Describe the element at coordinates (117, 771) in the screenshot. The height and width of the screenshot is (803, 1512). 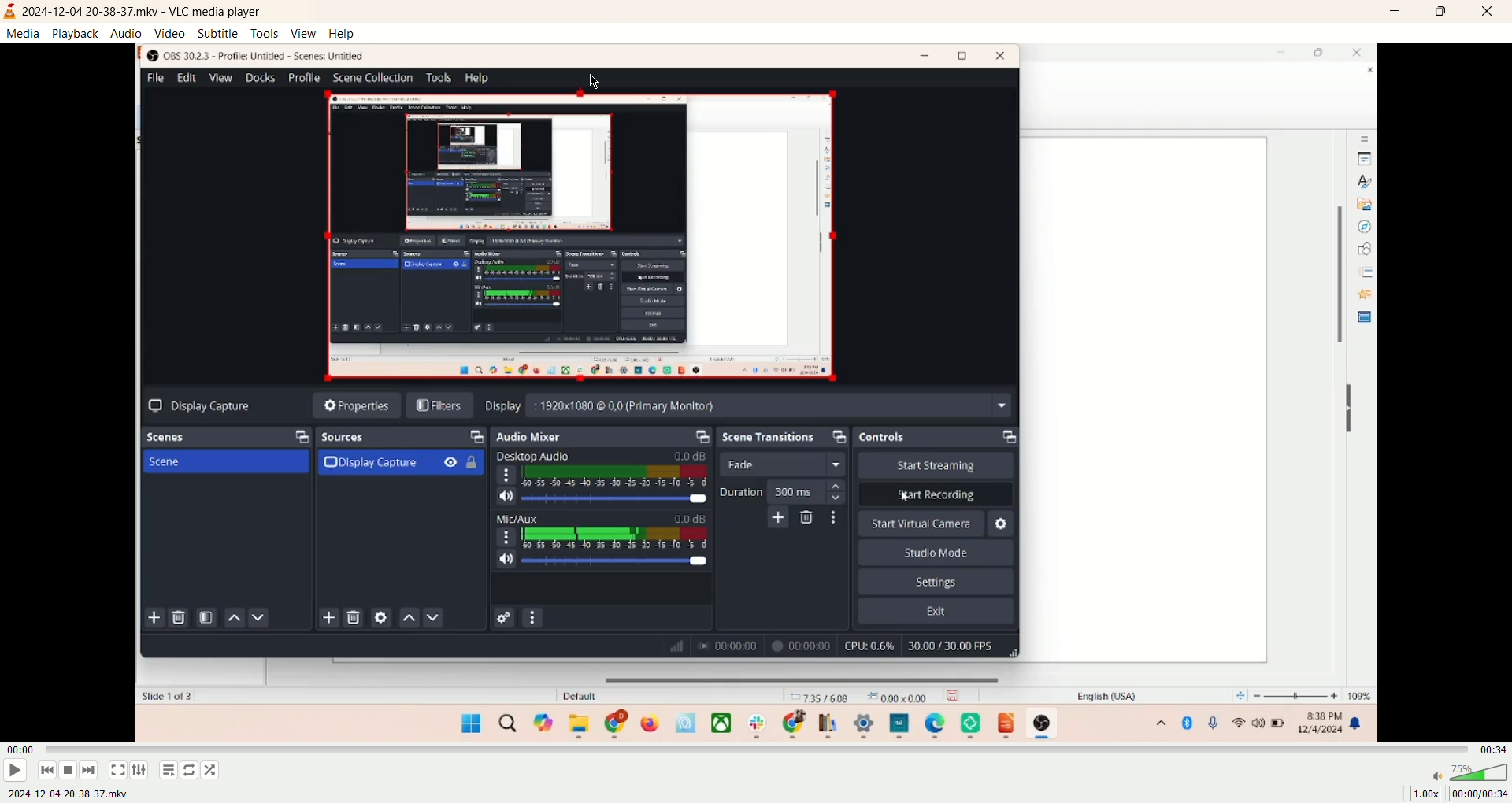
I see `fullscreen` at that location.